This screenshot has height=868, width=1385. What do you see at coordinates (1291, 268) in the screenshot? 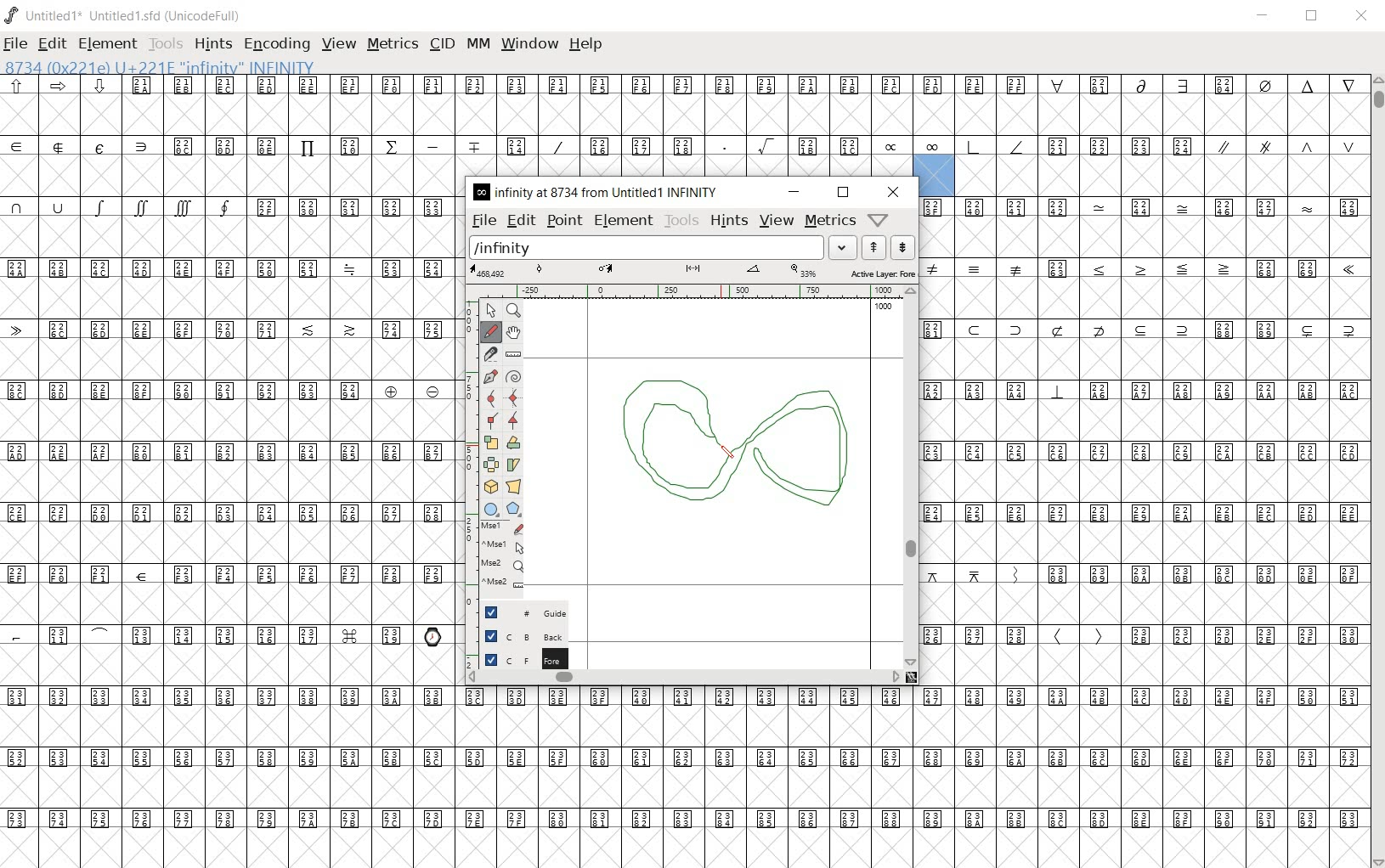
I see `Unicode code points` at bounding box center [1291, 268].